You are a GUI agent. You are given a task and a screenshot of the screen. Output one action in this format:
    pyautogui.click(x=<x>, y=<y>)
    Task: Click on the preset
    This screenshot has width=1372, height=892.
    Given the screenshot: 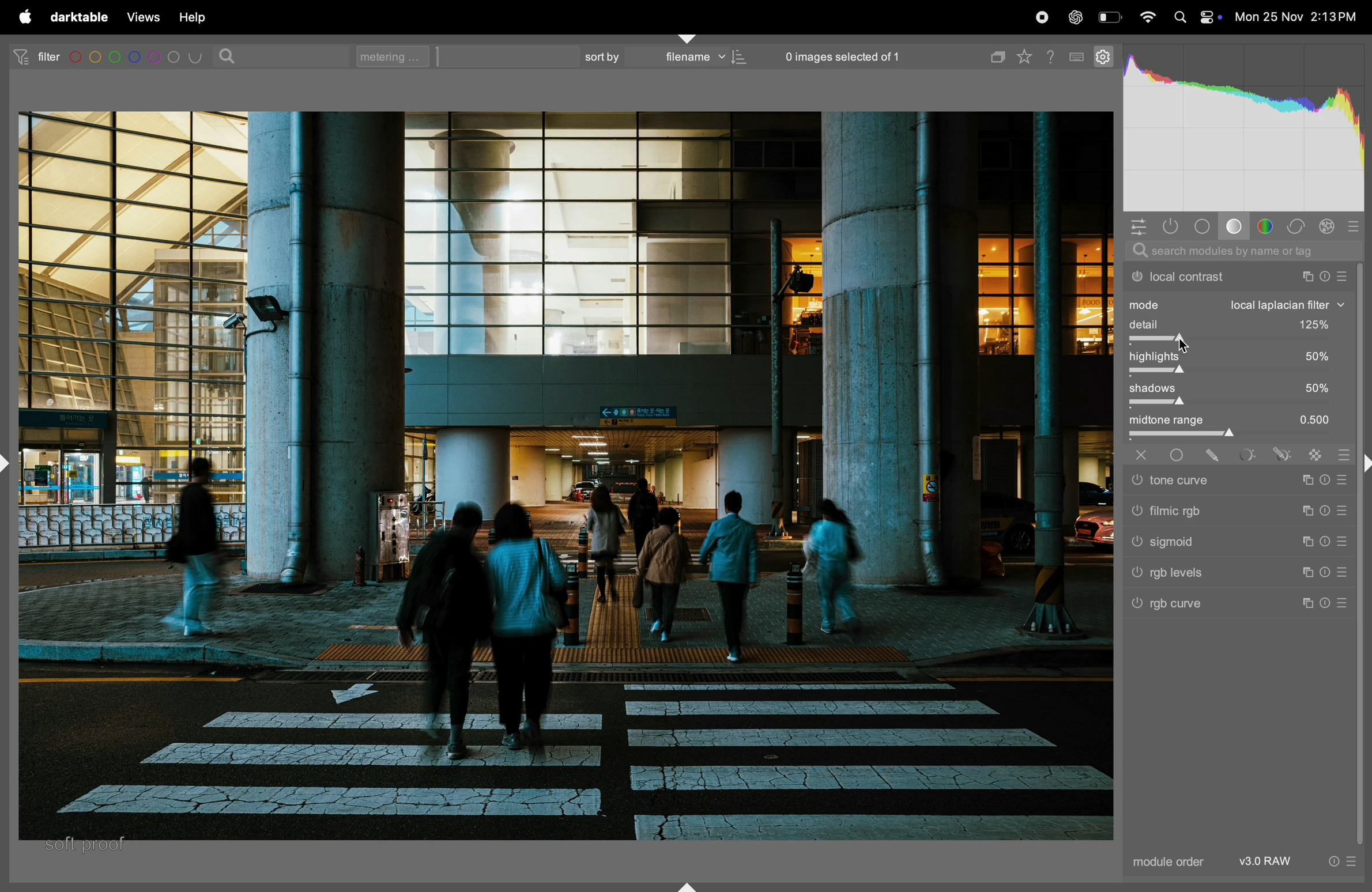 What is the action you would take?
    pyautogui.click(x=1343, y=509)
    